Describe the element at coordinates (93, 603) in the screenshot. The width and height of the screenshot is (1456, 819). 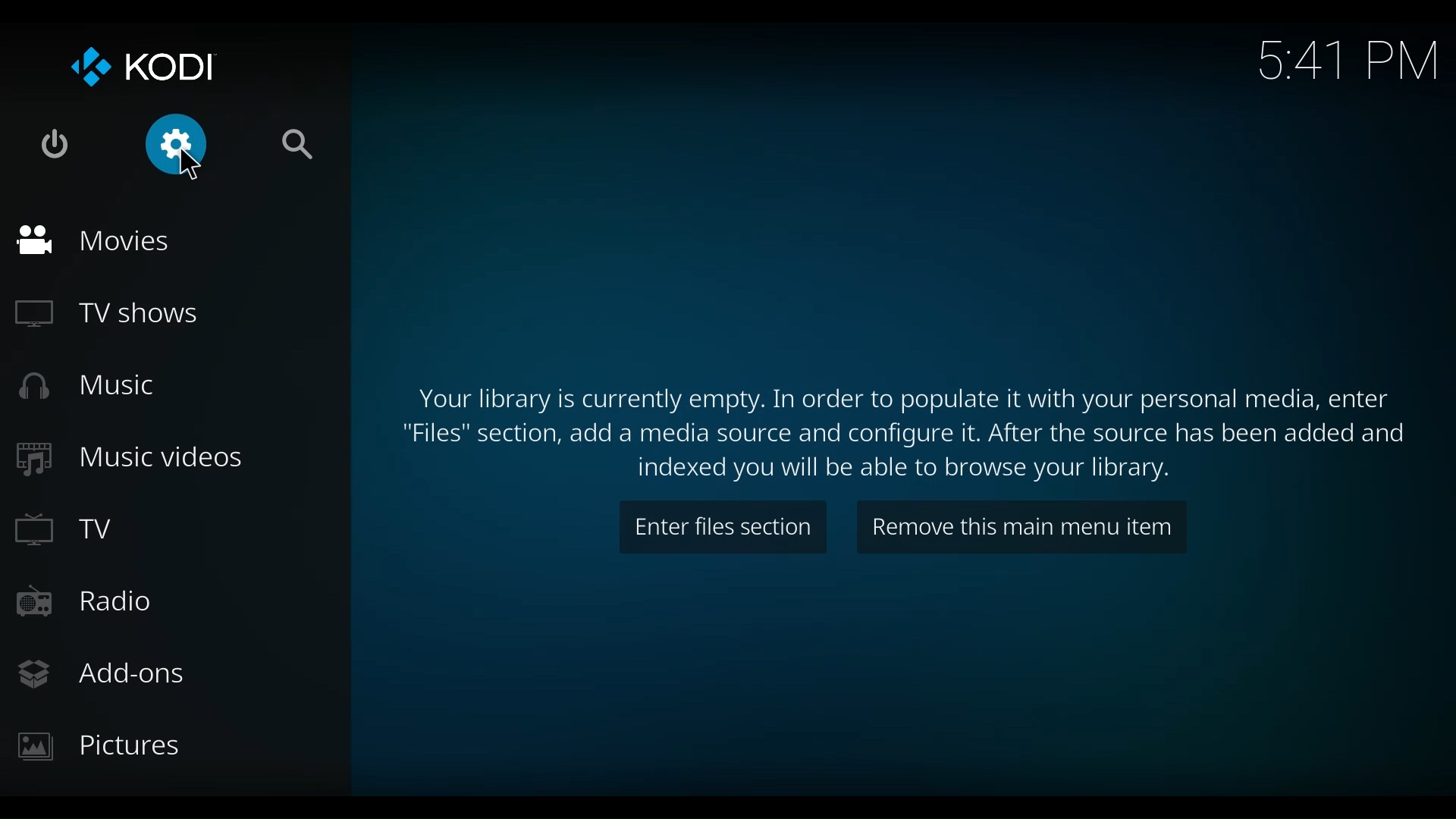
I see `Radio` at that location.